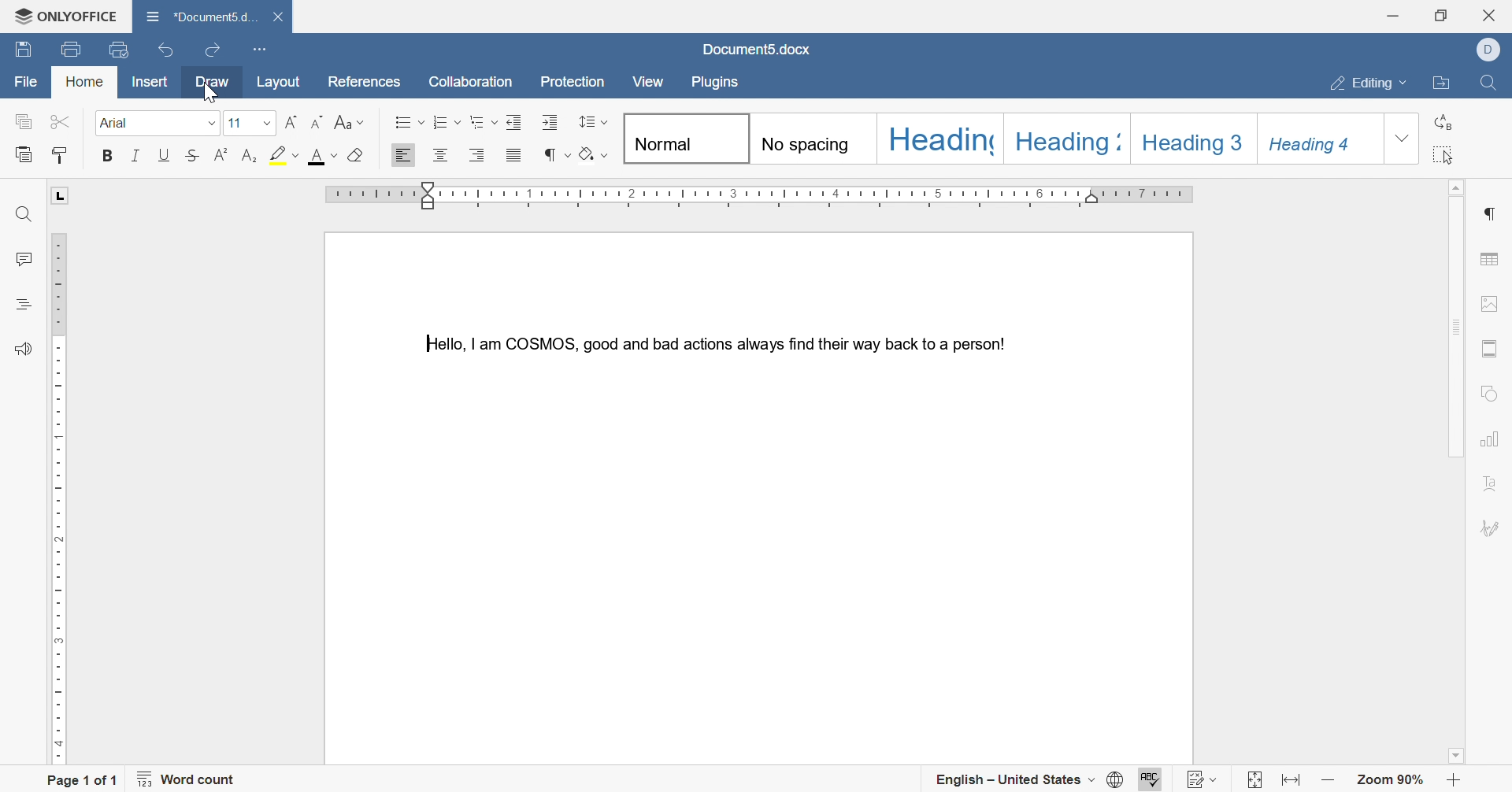  Describe the element at coordinates (24, 155) in the screenshot. I see `paste` at that location.